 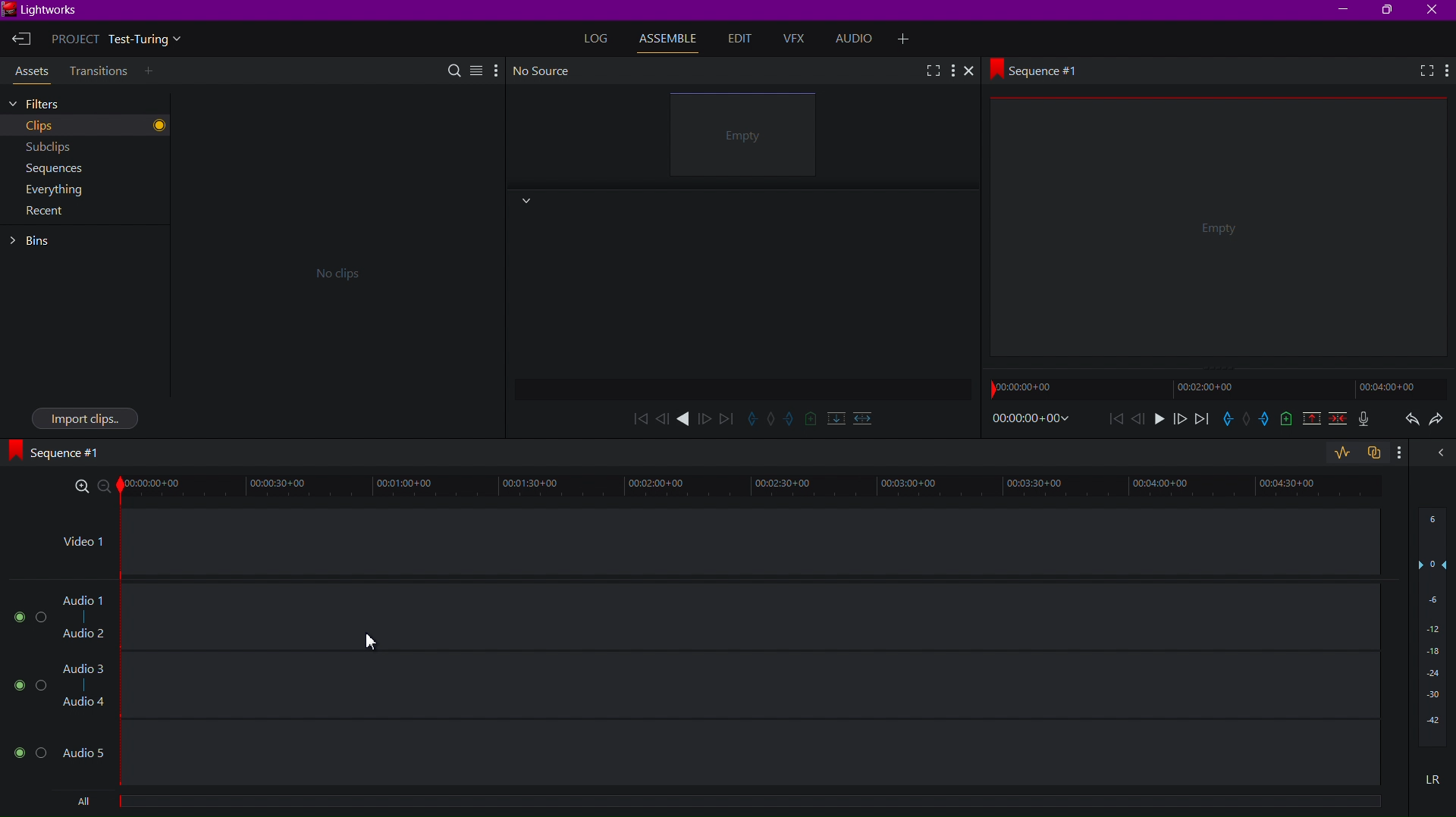 What do you see at coordinates (375, 641) in the screenshot?
I see `cursor` at bounding box center [375, 641].